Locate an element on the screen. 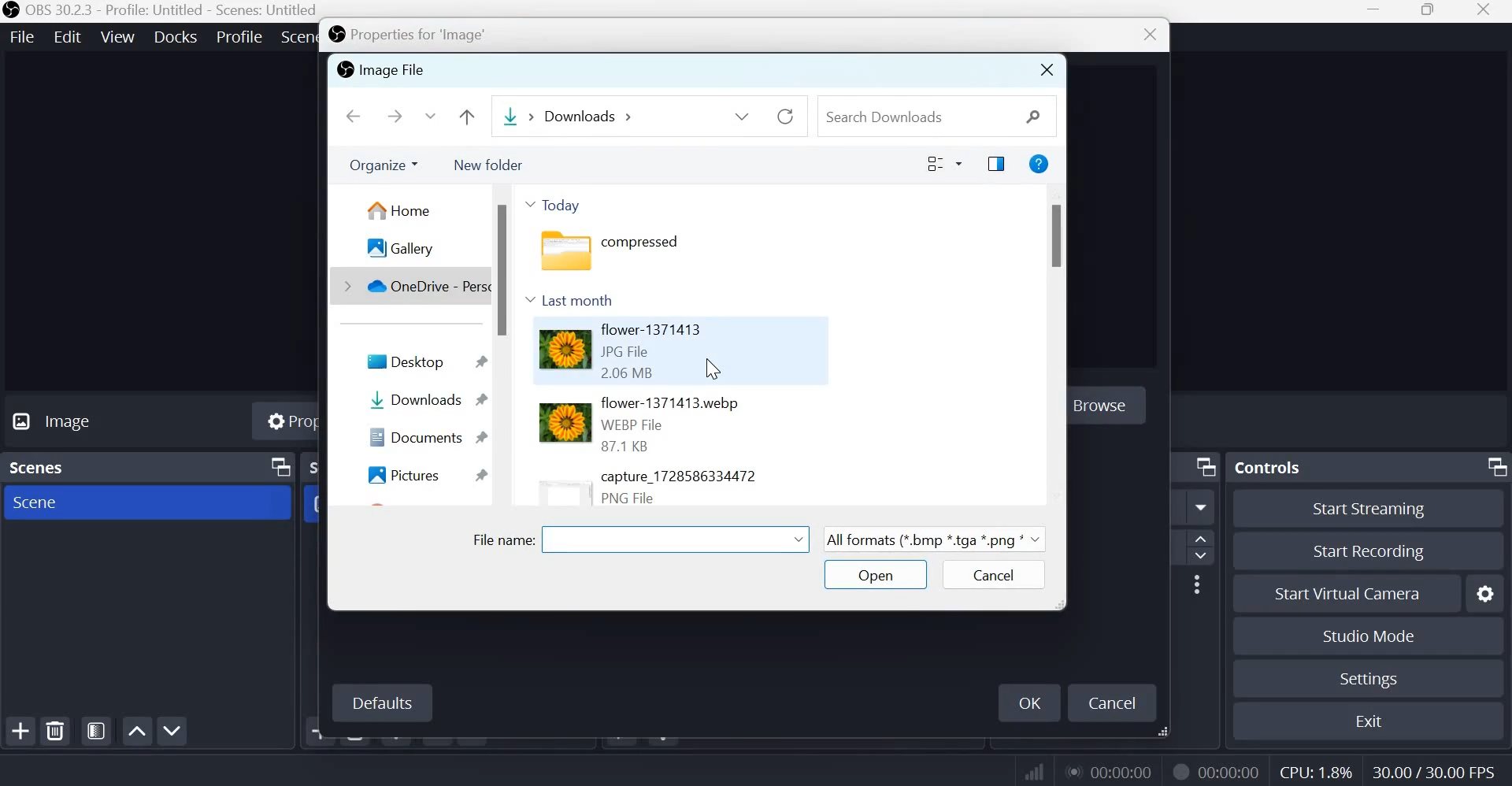 The height and width of the screenshot is (786, 1512). Start streaming is located at coordinates (1370, 510).